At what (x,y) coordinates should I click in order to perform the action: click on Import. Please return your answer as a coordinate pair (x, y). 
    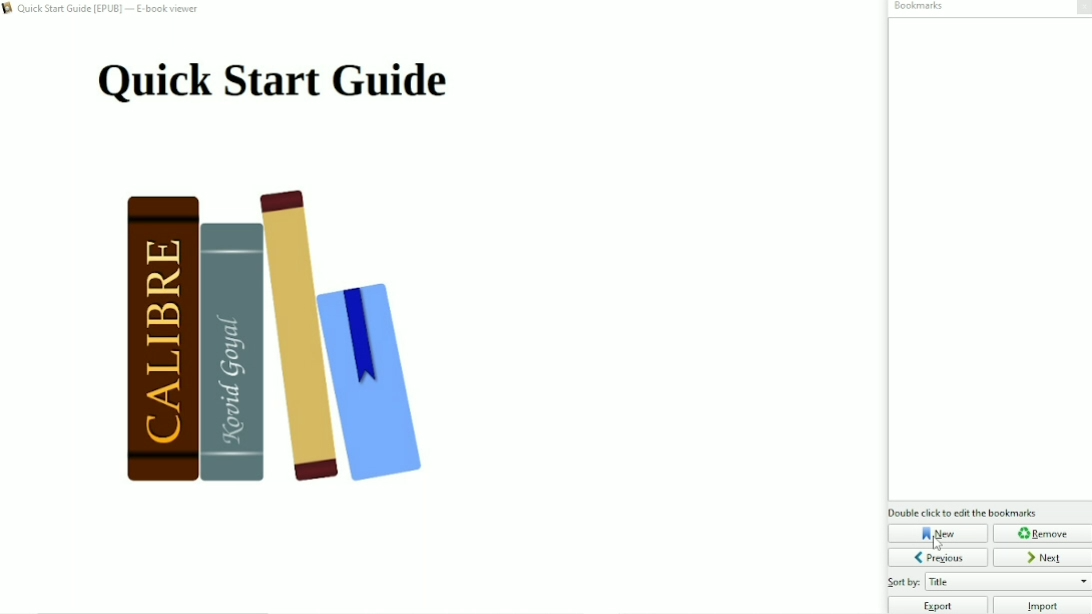
    Looking at the image, I should click on (1043, 605).